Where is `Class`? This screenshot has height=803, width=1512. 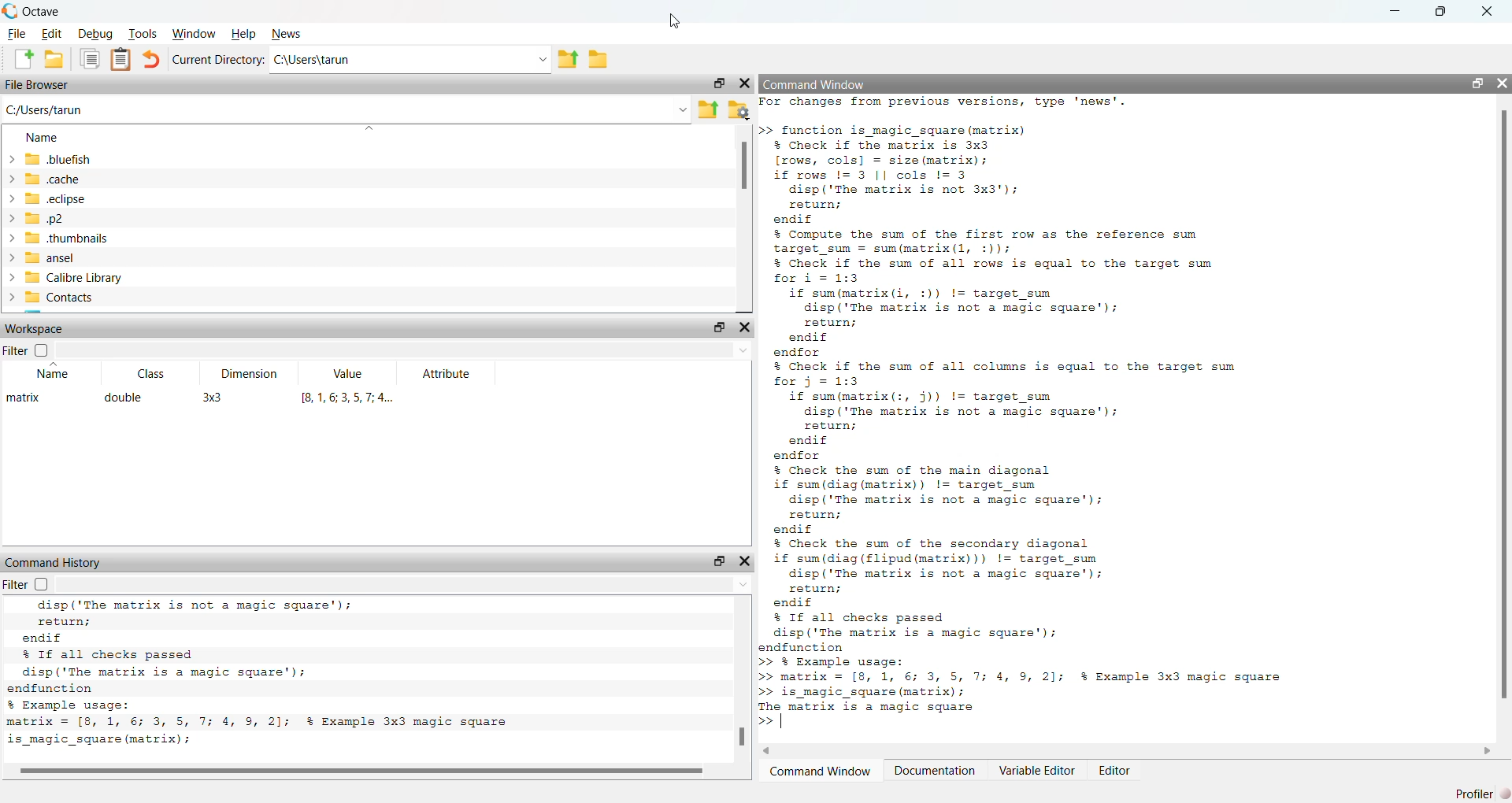 Class is located at coordinates (152, 374).